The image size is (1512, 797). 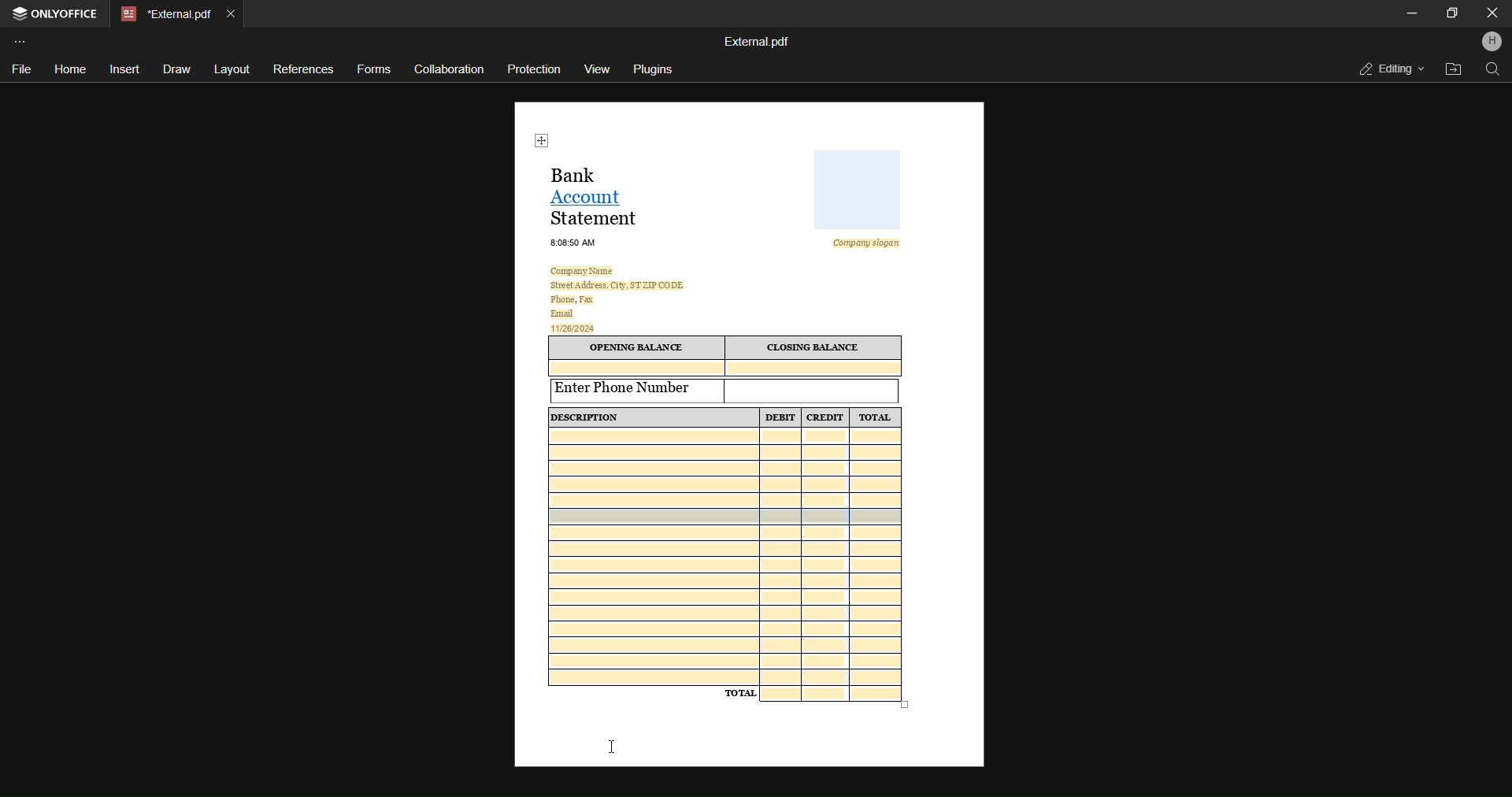 What do you see at coordinates (574, 242) in the screenshot?
I see `8:08:50 AM` at bounding box center [574, 242].